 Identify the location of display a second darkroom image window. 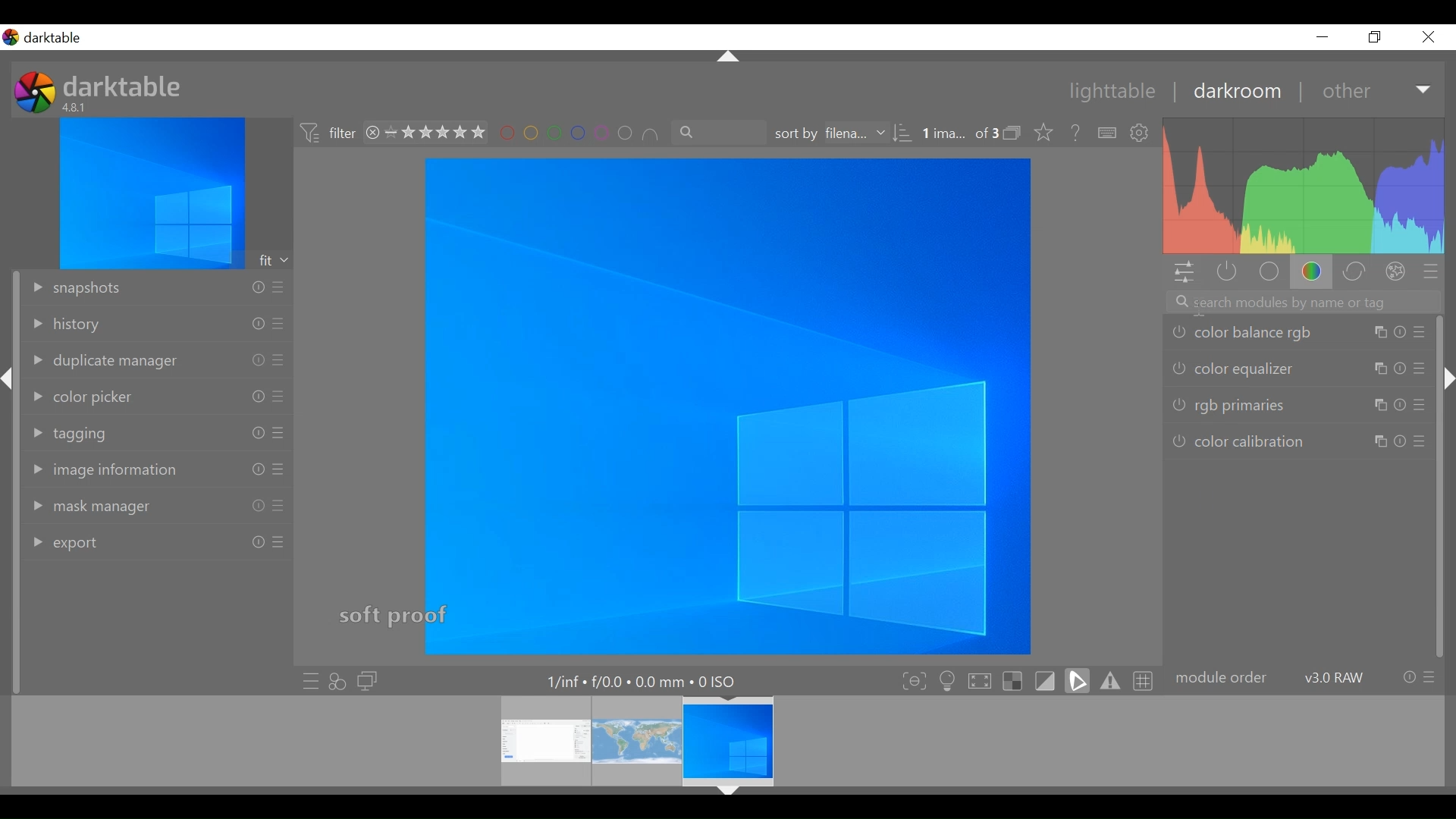
(368, 681).